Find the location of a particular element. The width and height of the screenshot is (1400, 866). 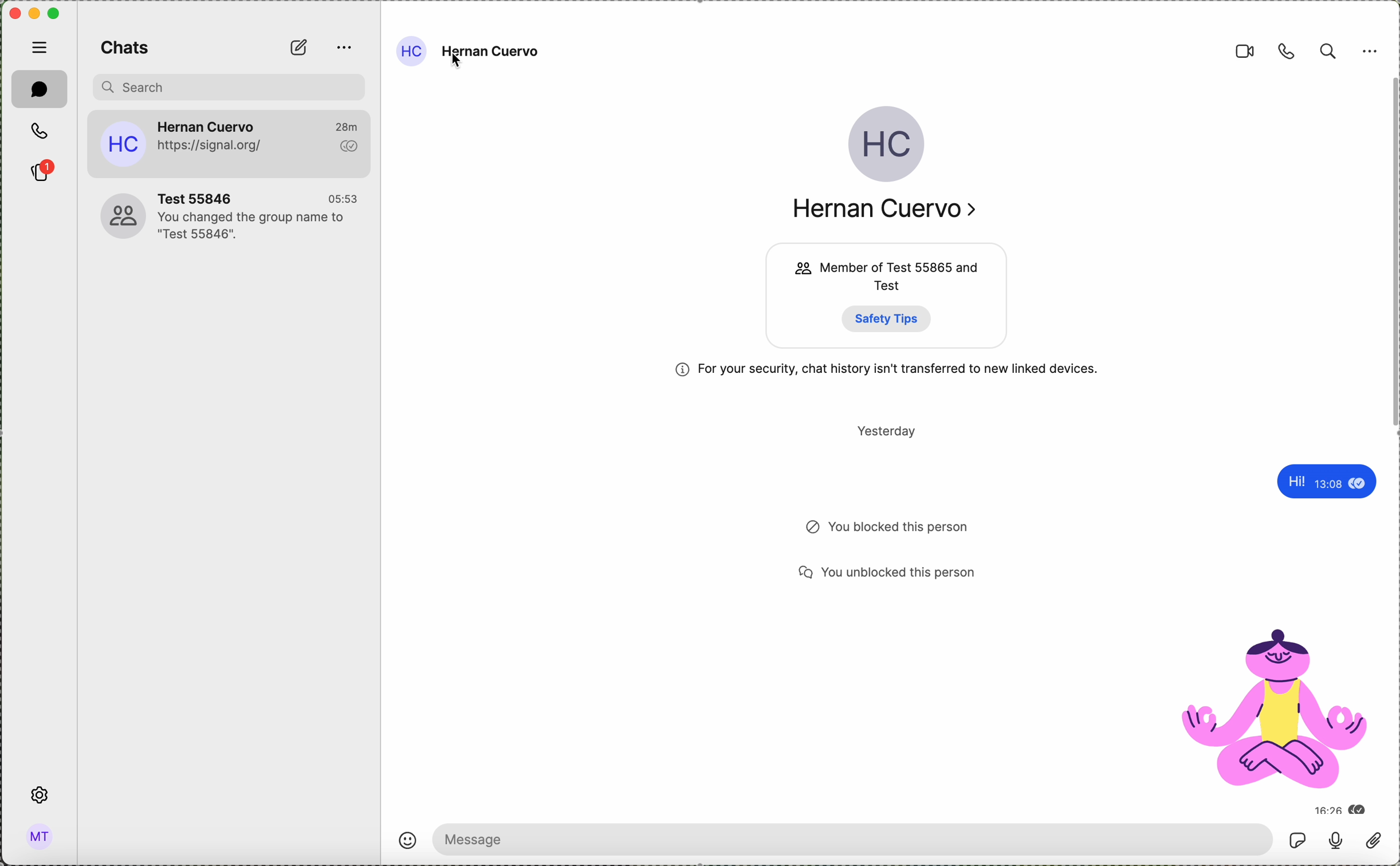

Hernan Cuervo  is located at coordinates (207, 123).